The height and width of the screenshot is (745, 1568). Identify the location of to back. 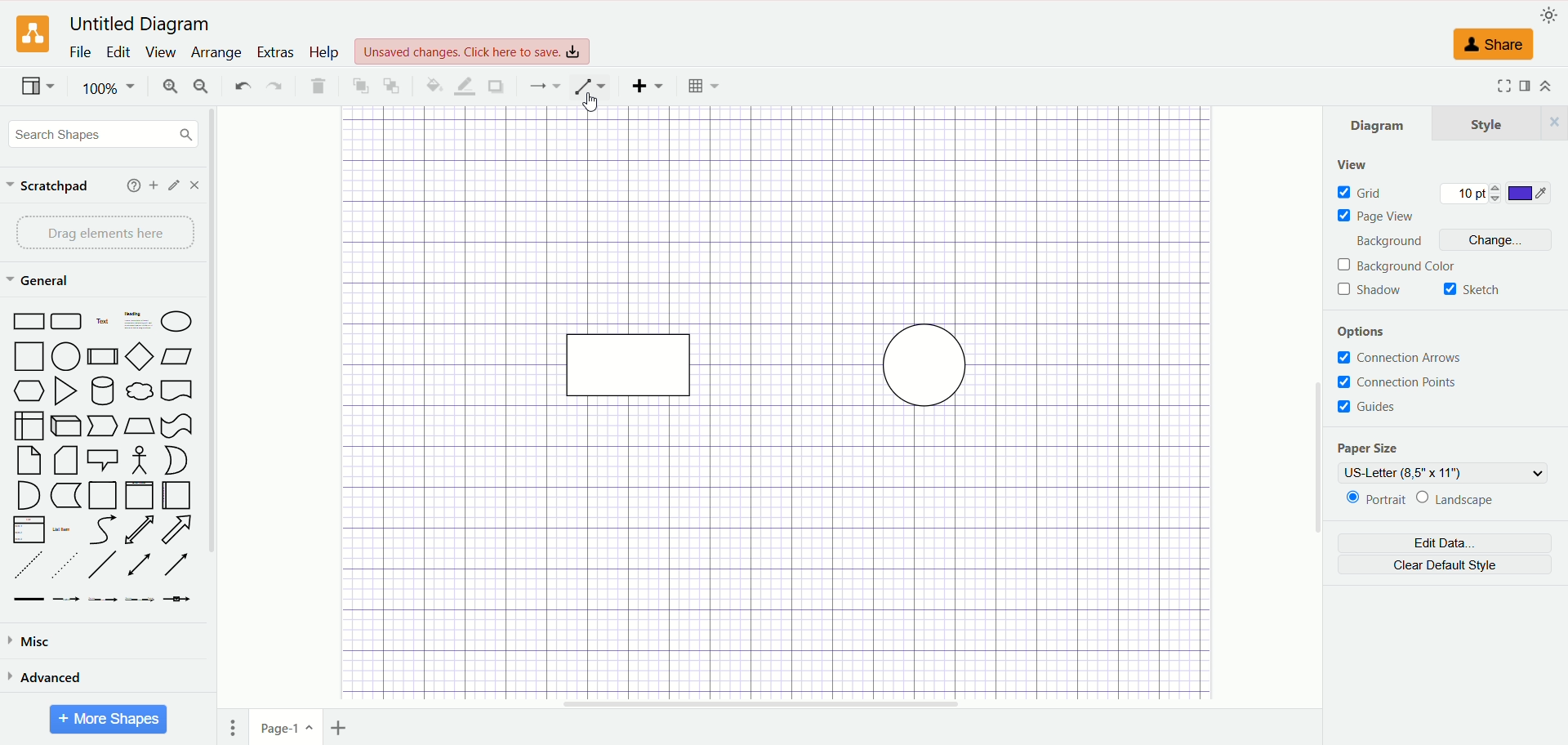
(390, 85).